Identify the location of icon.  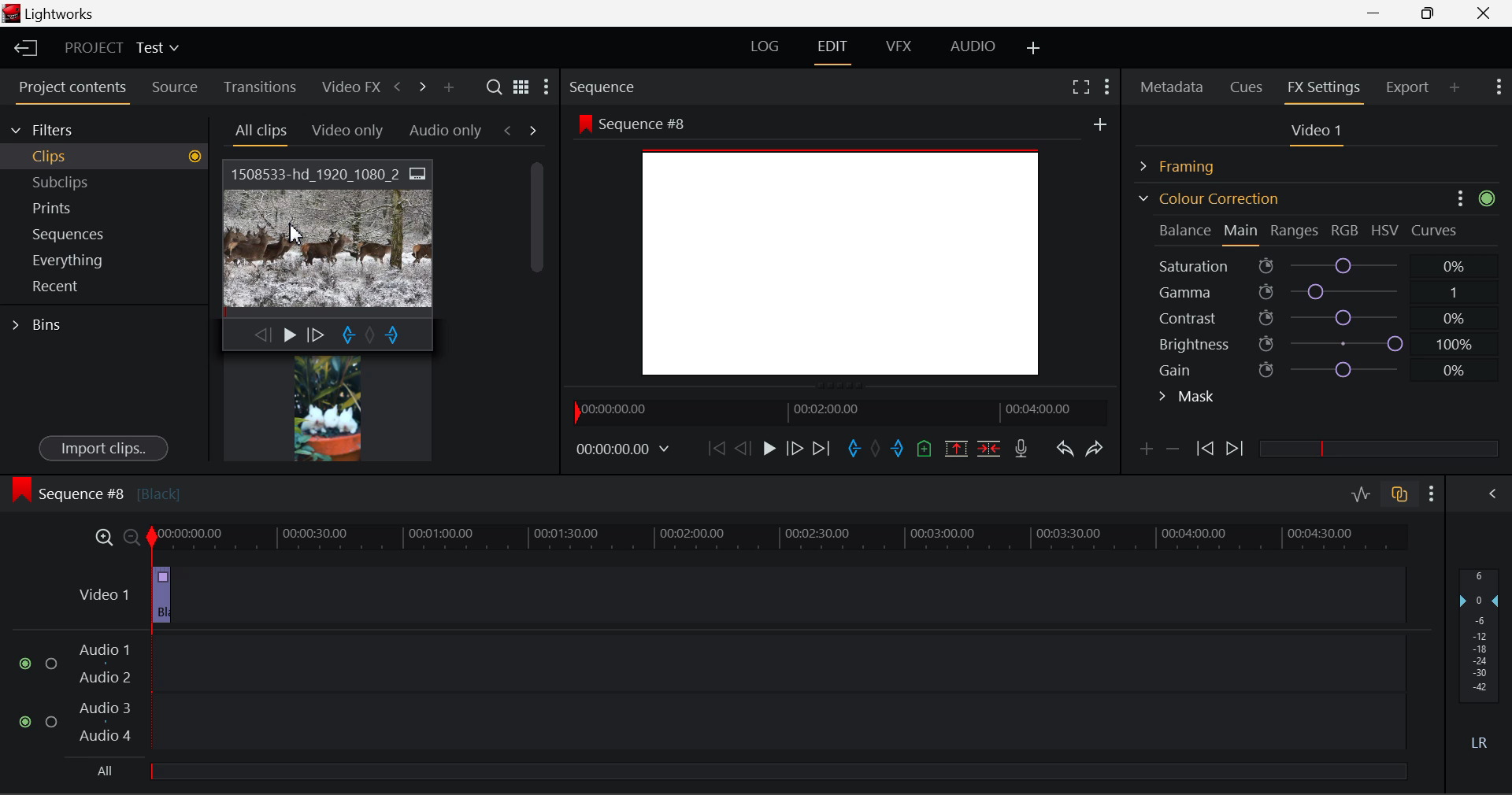
(1488, 198).